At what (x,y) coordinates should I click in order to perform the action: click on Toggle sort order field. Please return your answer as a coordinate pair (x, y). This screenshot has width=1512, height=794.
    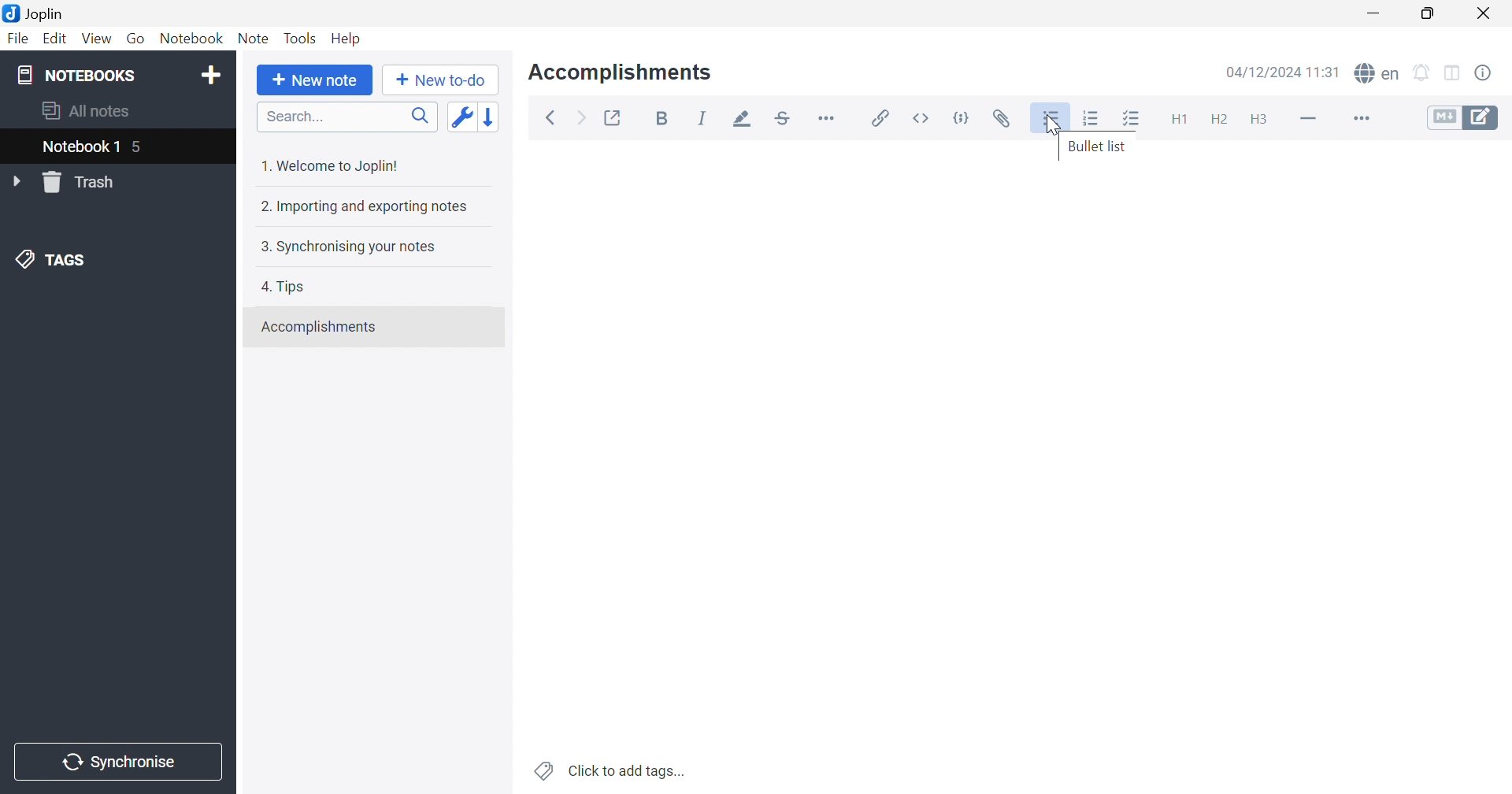
    Looking at the image, I should click on (459, 117).